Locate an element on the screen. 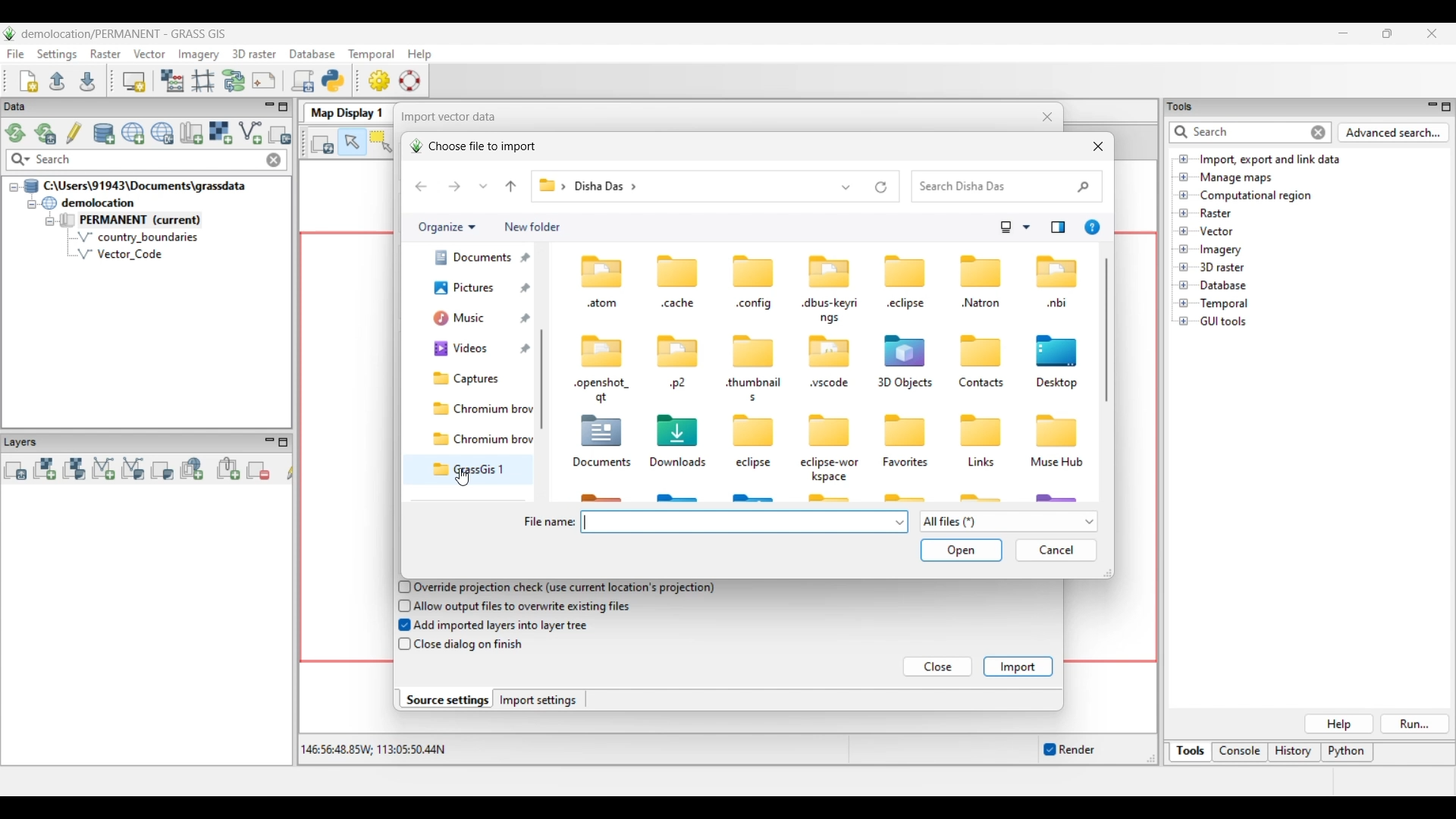 This screenshot has height=819, width=1456. Natron is located at coordinates (981, 303).